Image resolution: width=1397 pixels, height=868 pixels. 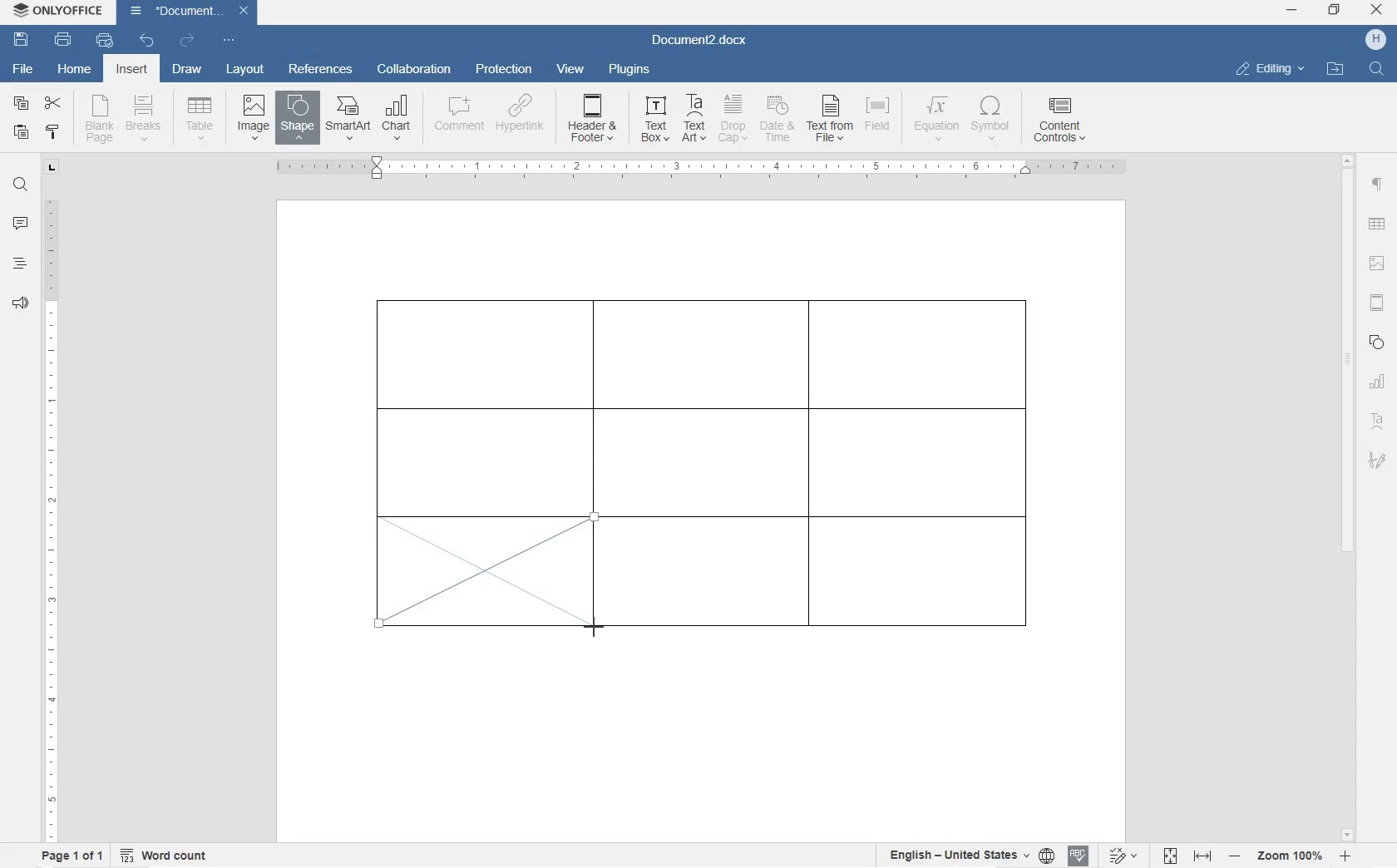 I want to click on spell check, so click(x=1079, y=857).